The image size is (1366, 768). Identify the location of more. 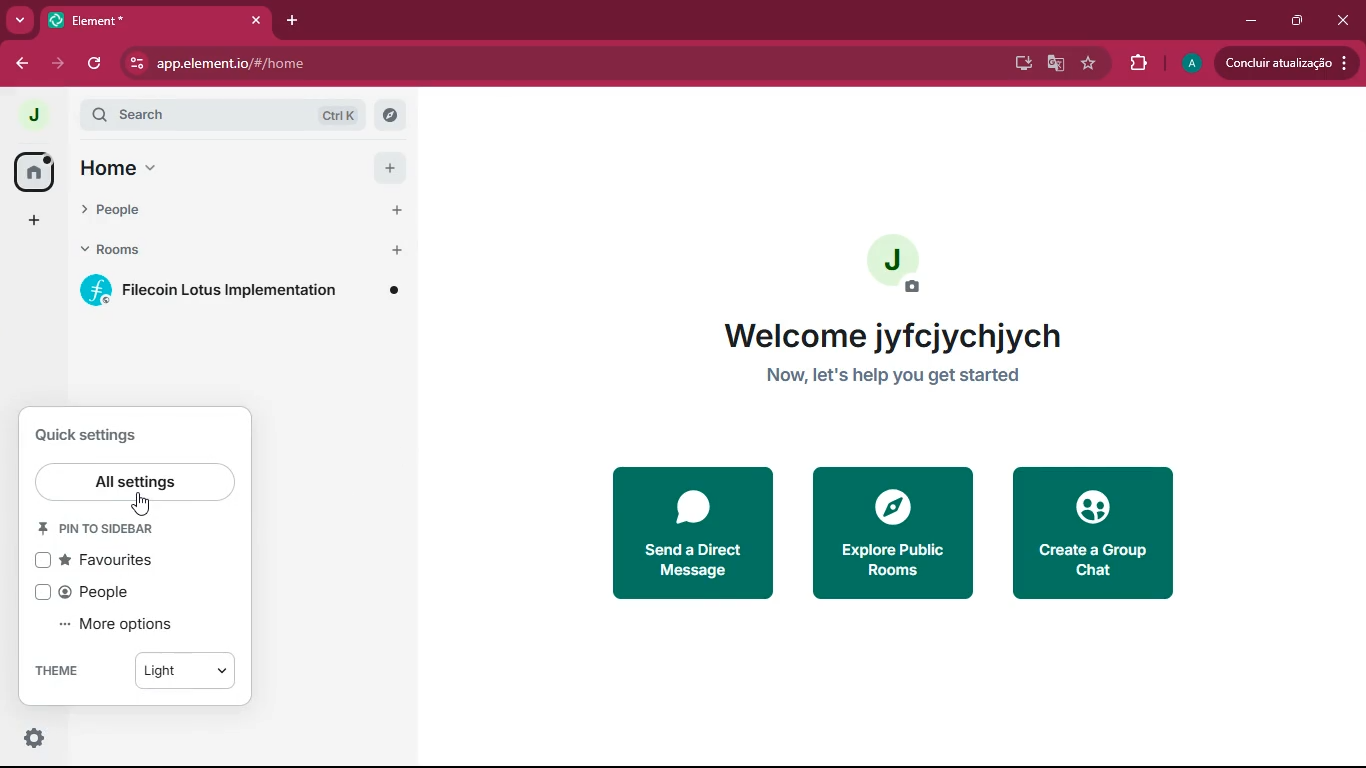
(18, 20).